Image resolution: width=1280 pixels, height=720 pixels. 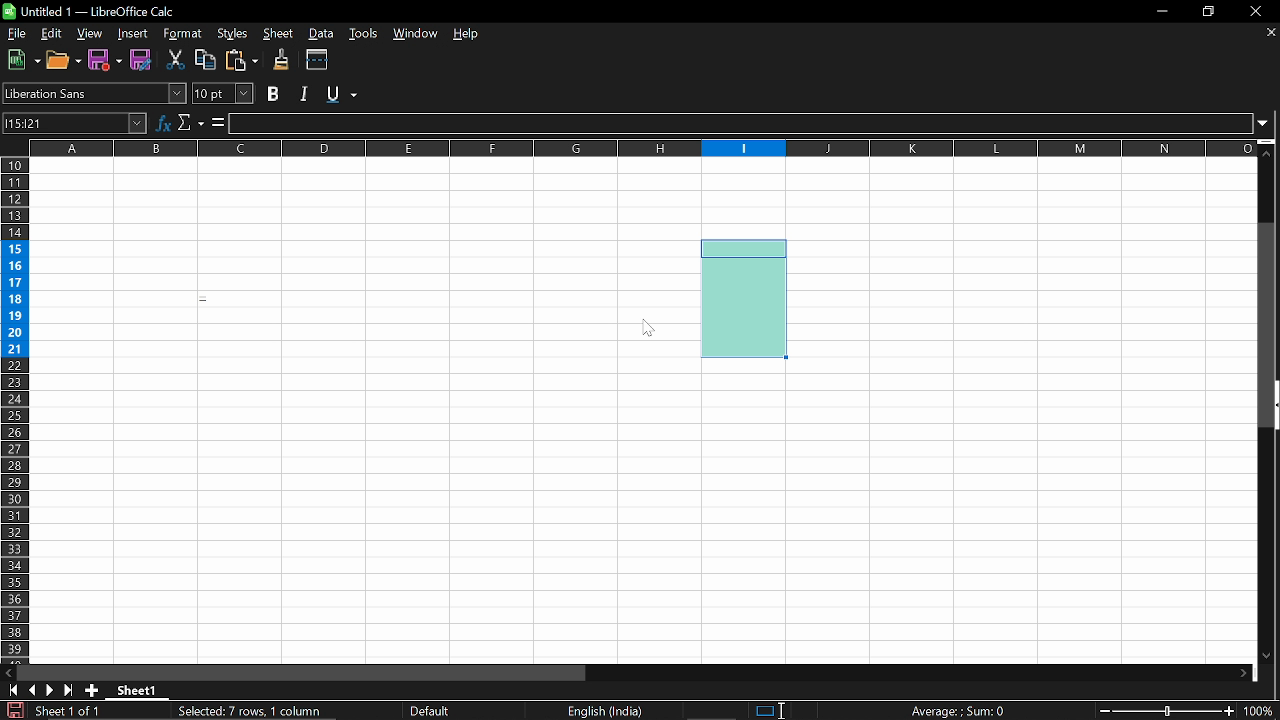 I want to click on Edit, so click(x=50, y=33).